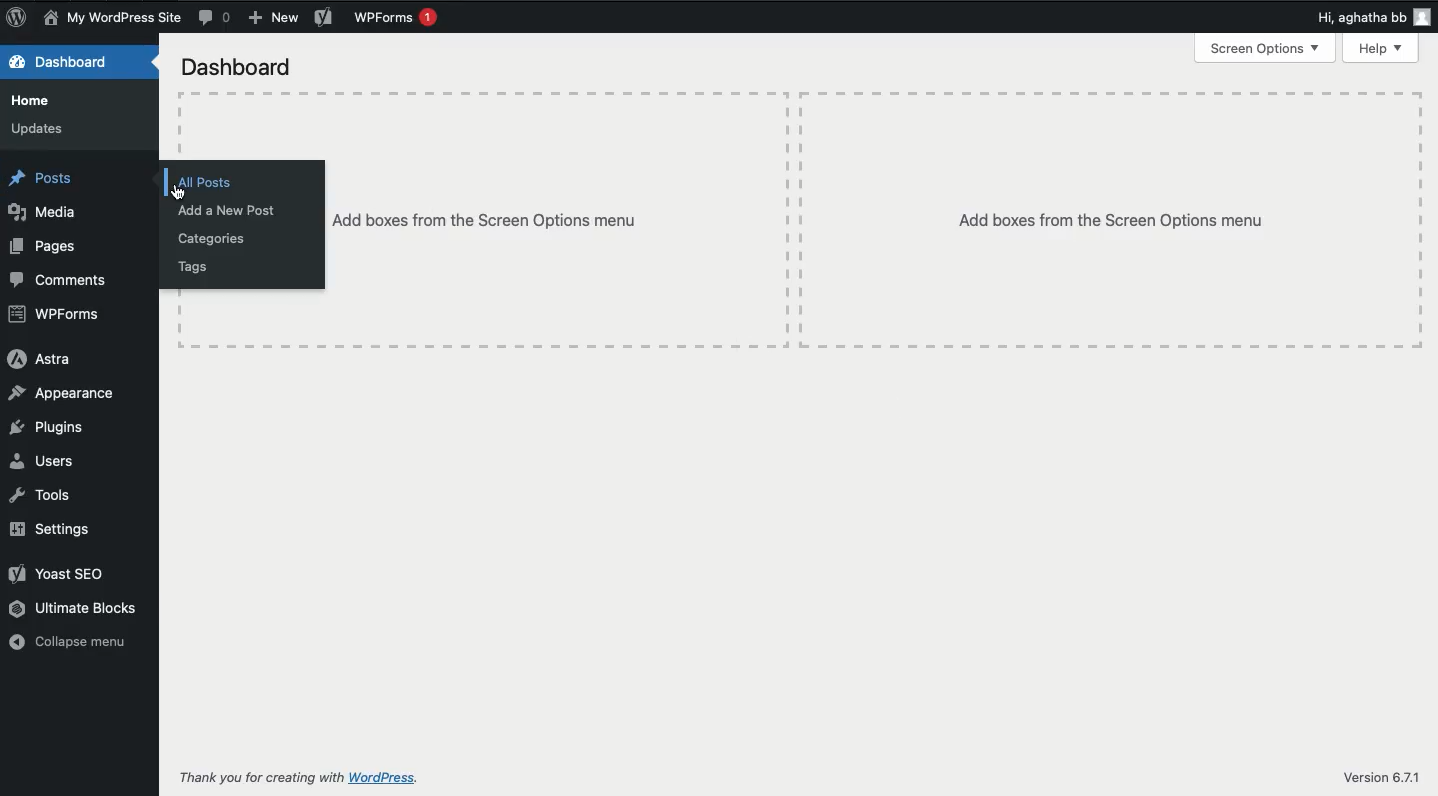  What do you see at coordinates (271, 17) in the screenshot?
I see `New` at bounding box center [271, 17].